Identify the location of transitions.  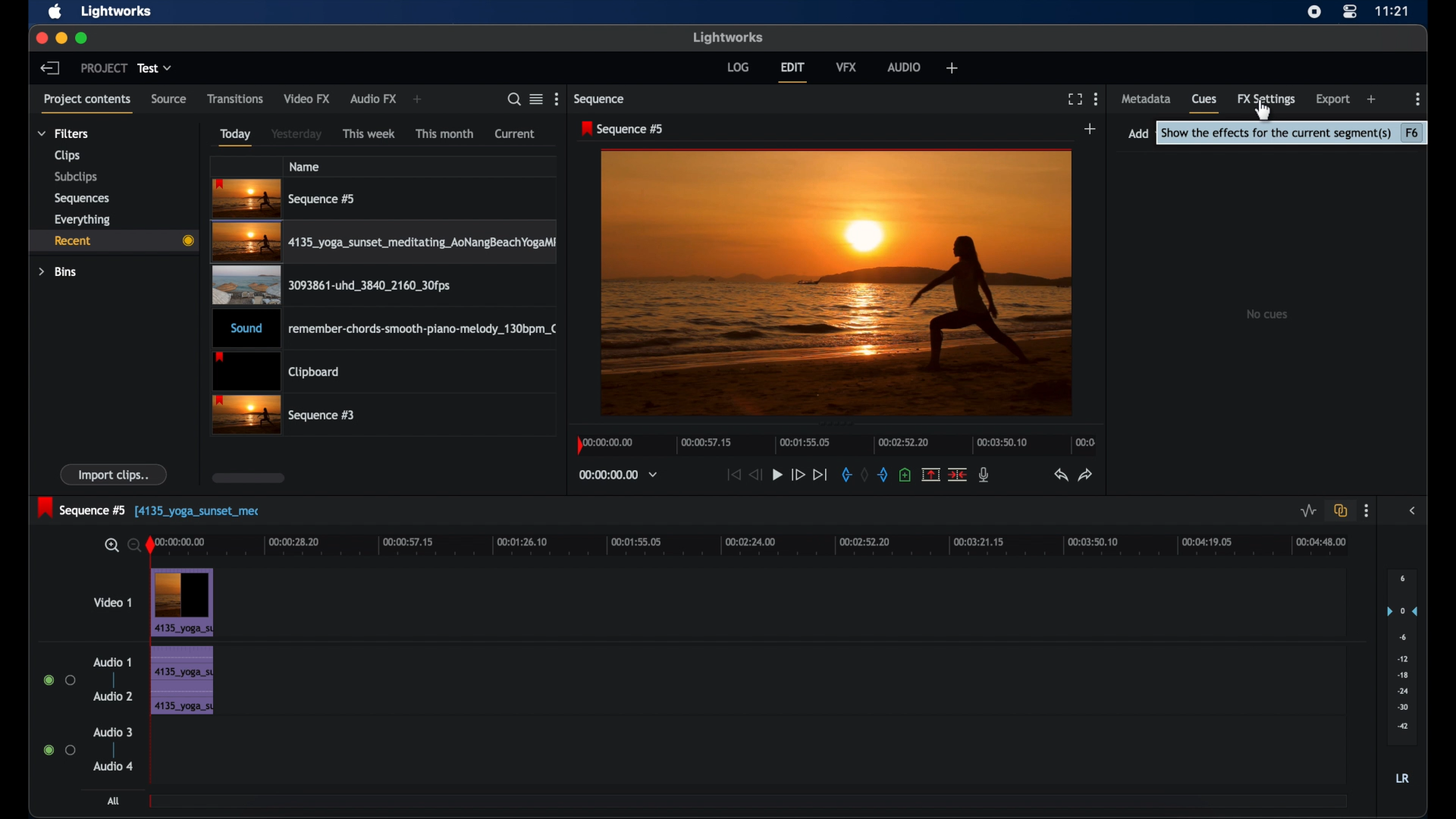
(236, 99).